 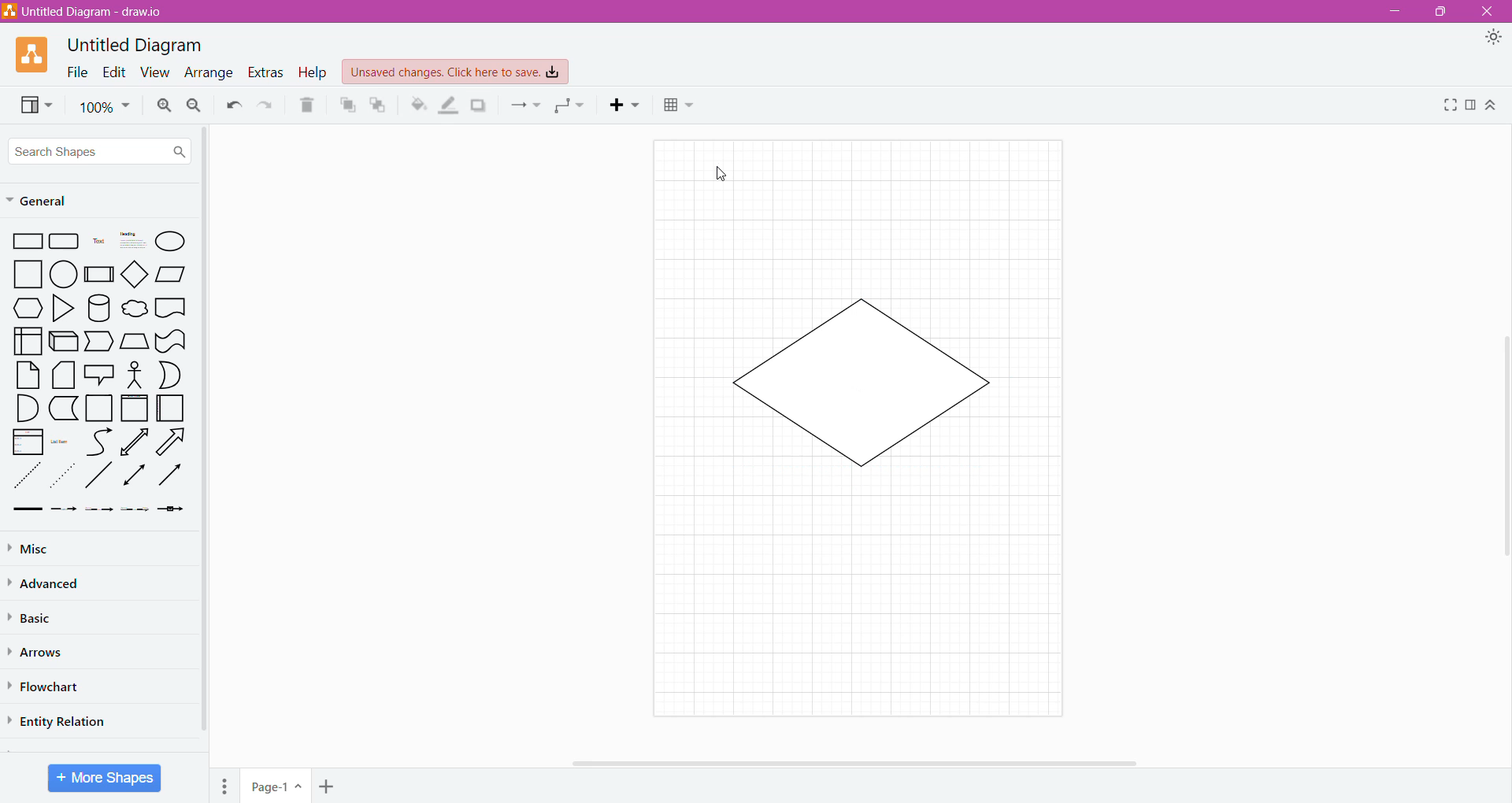 I want to click on Entity Relation, so click(x=61, y=720).